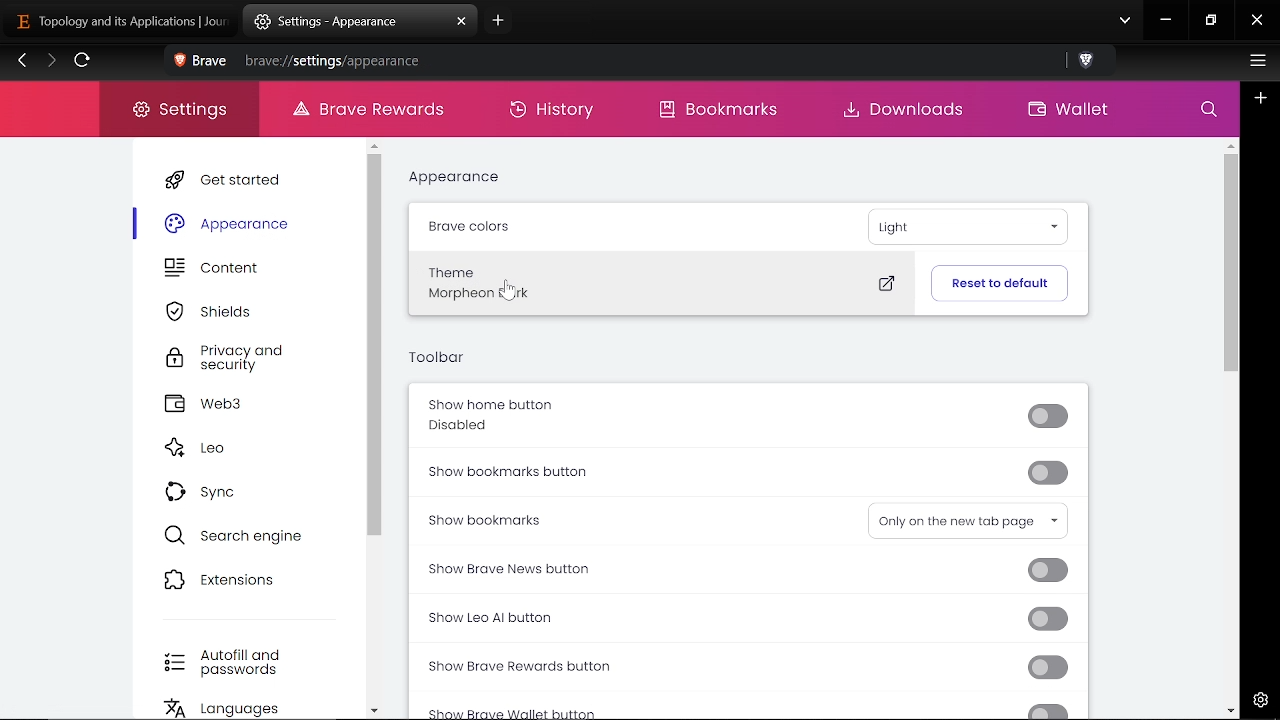 This screenshot has width=1280, height=720. I want to click on Wallet, so click(1066, 111).